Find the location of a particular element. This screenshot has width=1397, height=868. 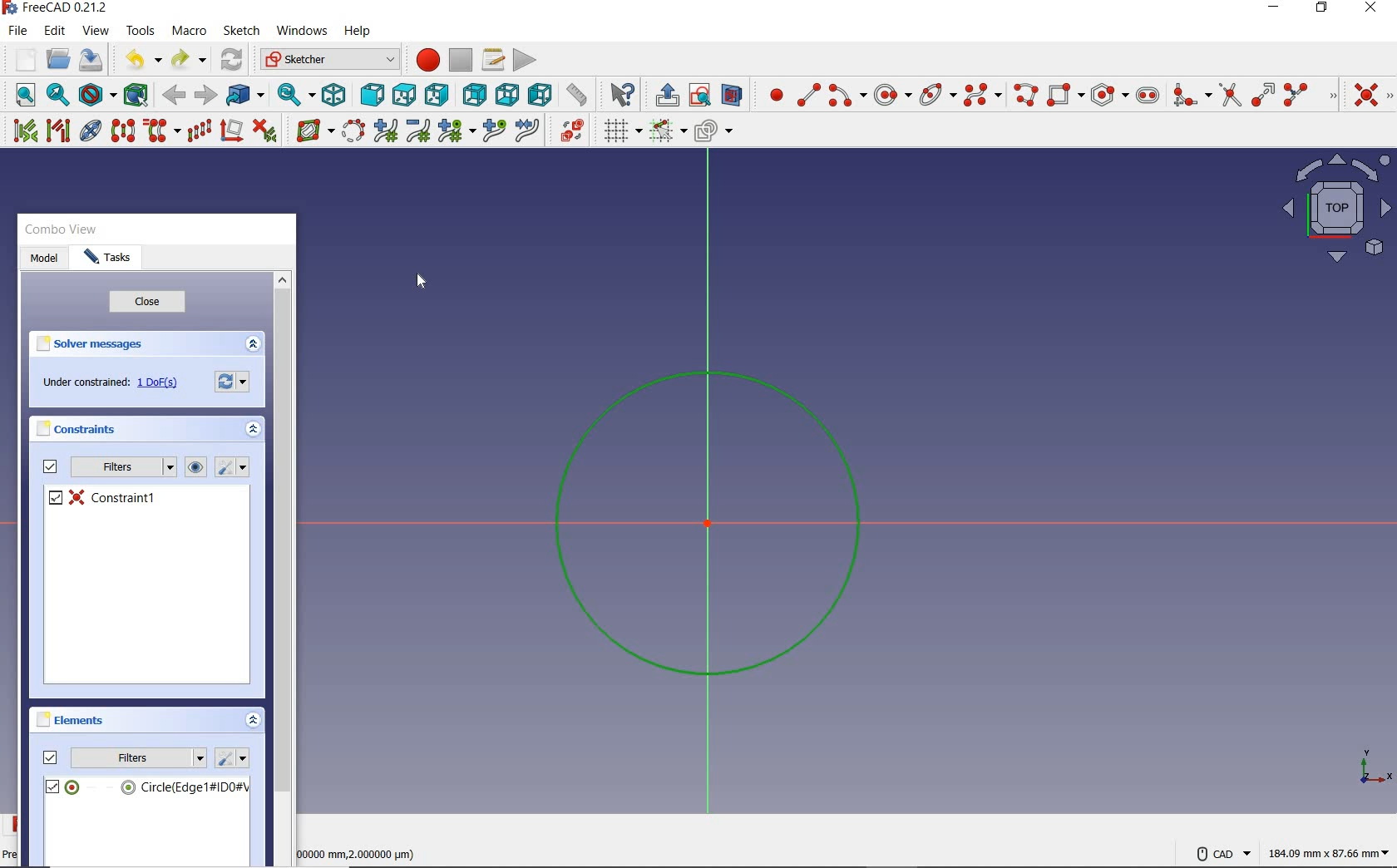

edit is located at coordinates (55, 31).